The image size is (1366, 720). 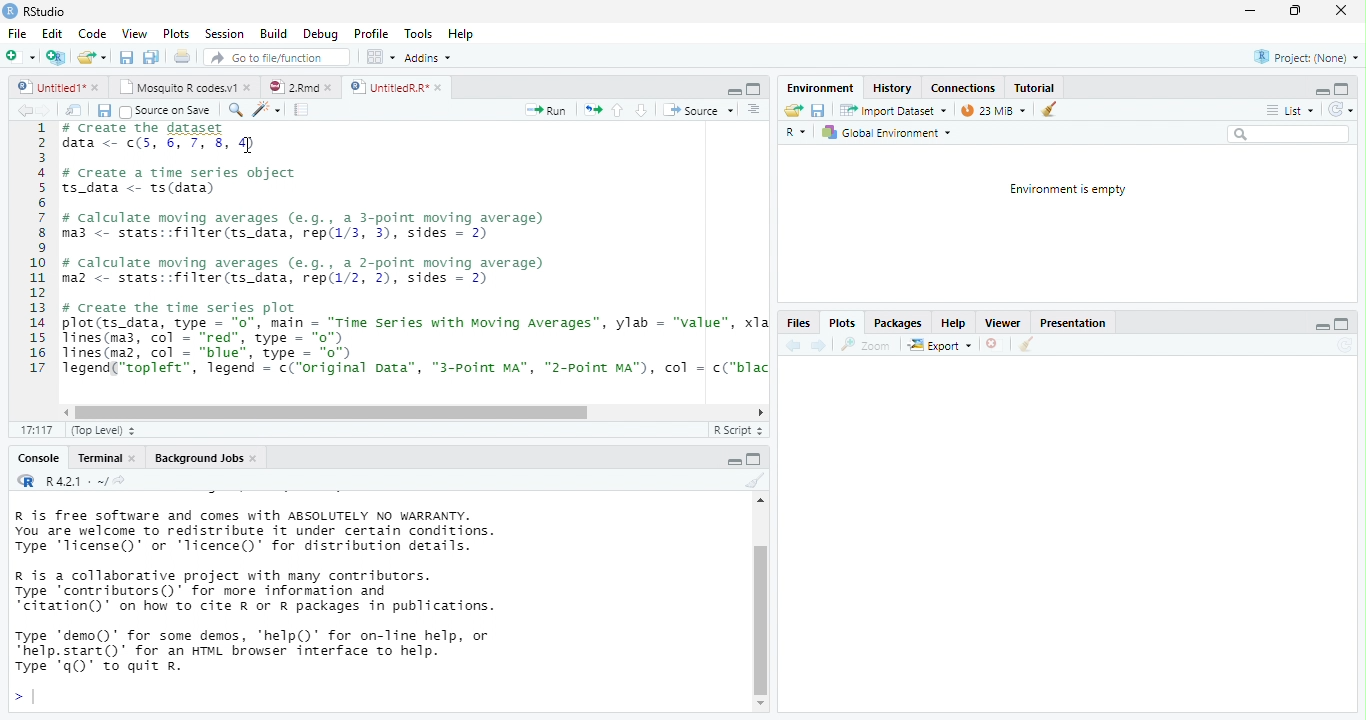 I want to click on clear, so click(x=1025, y=346).